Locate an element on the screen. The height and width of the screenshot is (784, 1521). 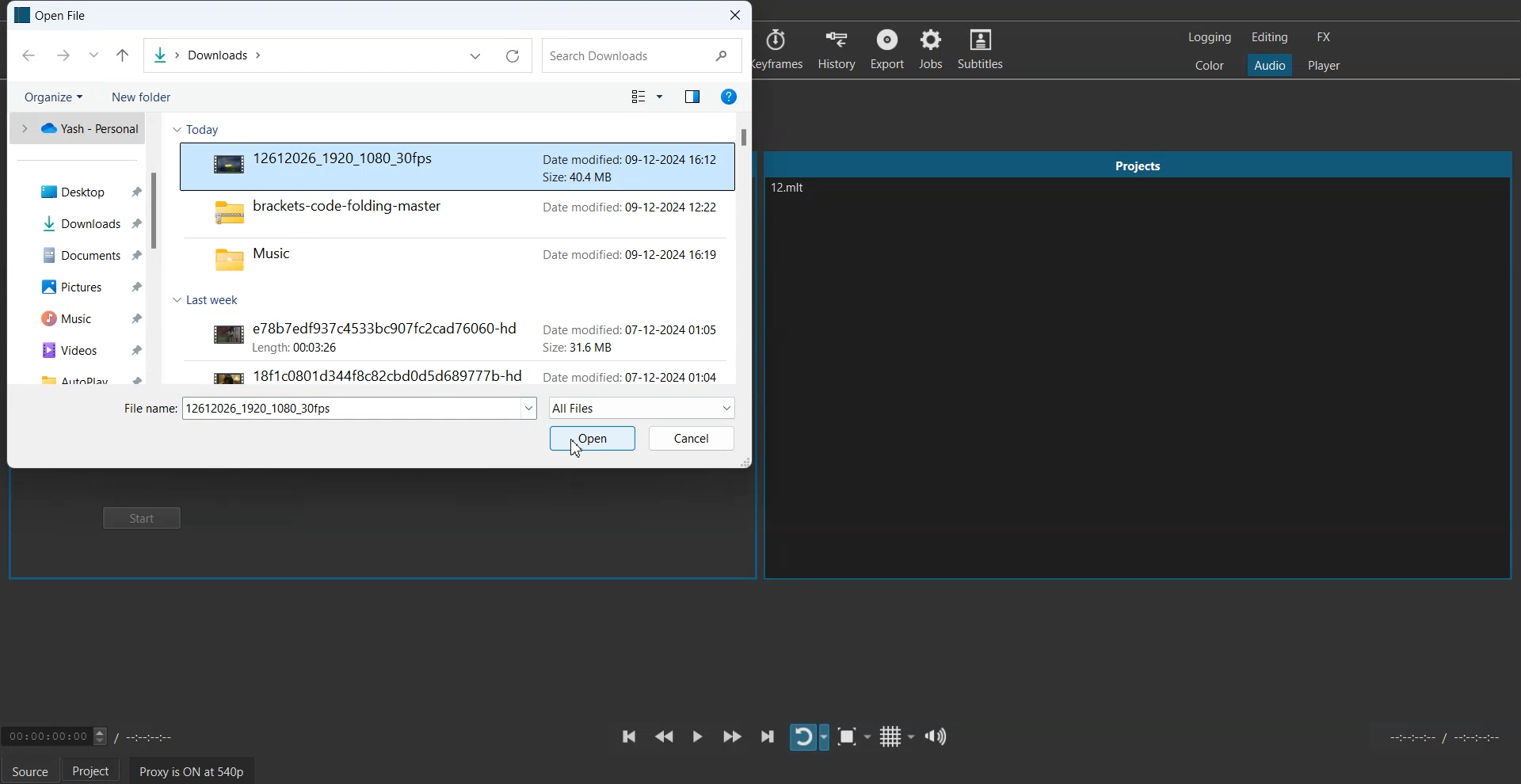
Files is located at coordinates (458, 234).